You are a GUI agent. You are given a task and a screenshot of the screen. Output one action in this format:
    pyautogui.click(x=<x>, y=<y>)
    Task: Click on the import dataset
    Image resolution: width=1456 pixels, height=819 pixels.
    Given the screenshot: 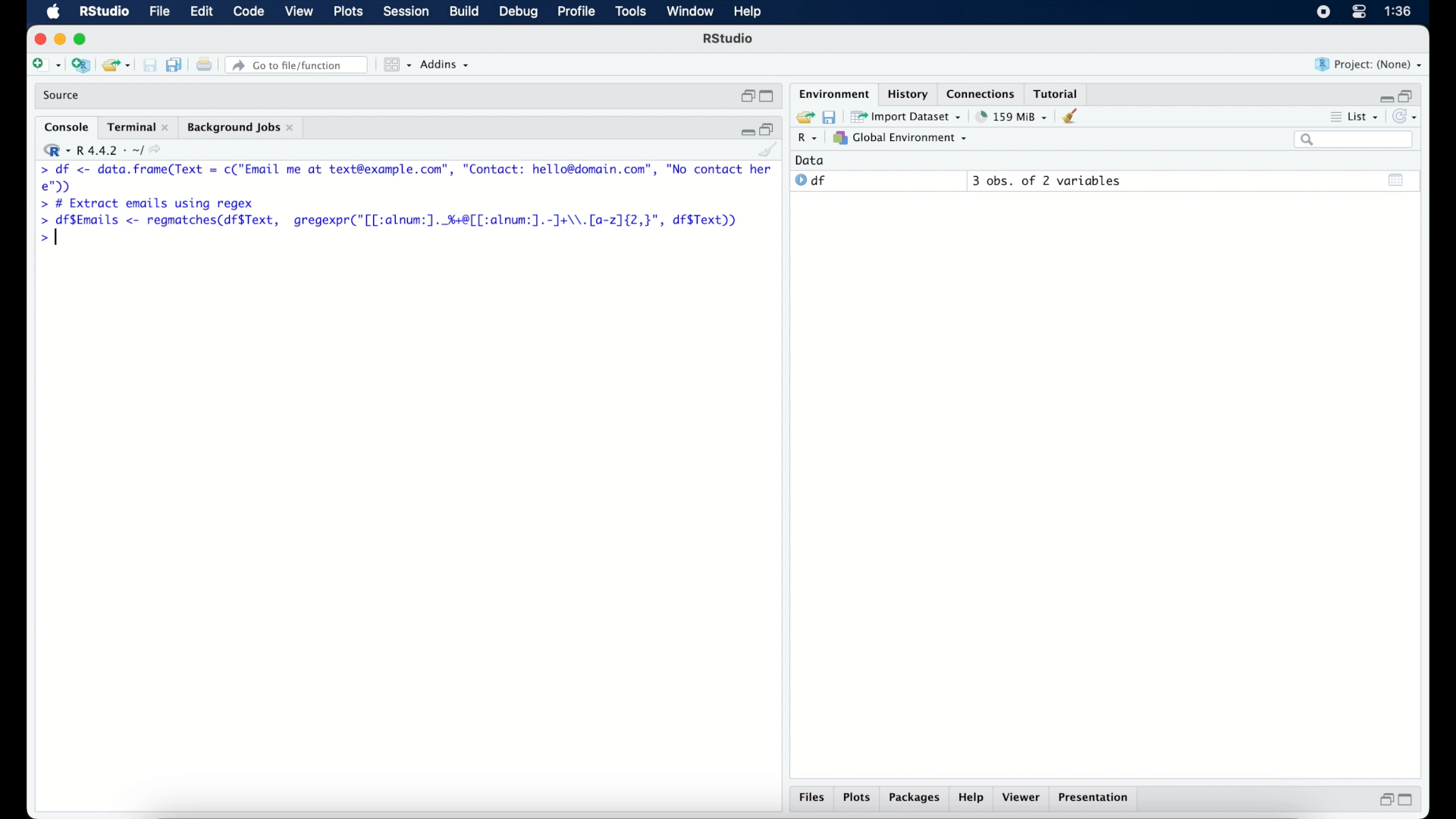 What is the action you would take?
    pyautogui.click(x=908, y=117)
    